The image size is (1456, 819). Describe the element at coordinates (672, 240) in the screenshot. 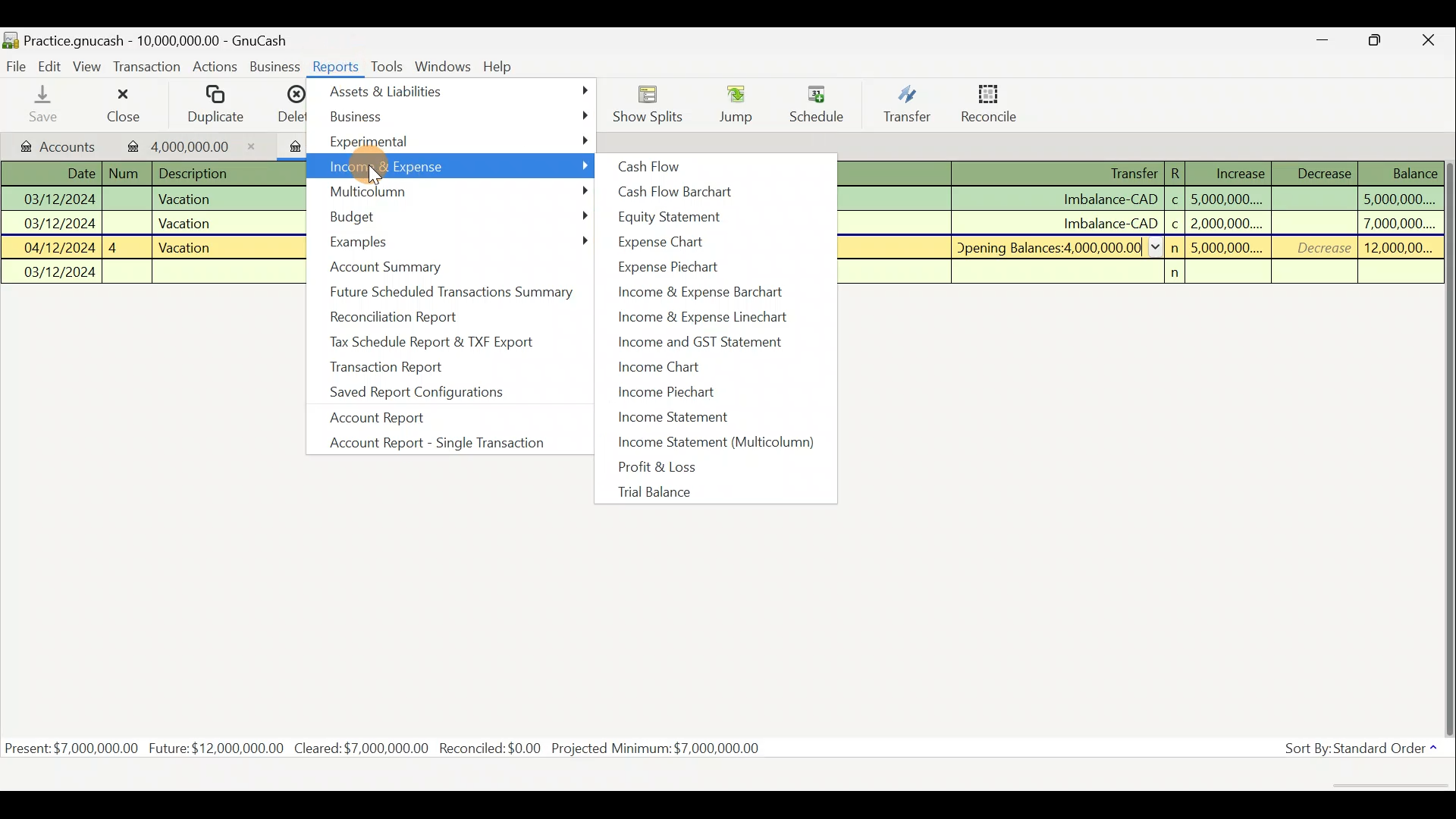

I see `Expense chart` at that location.